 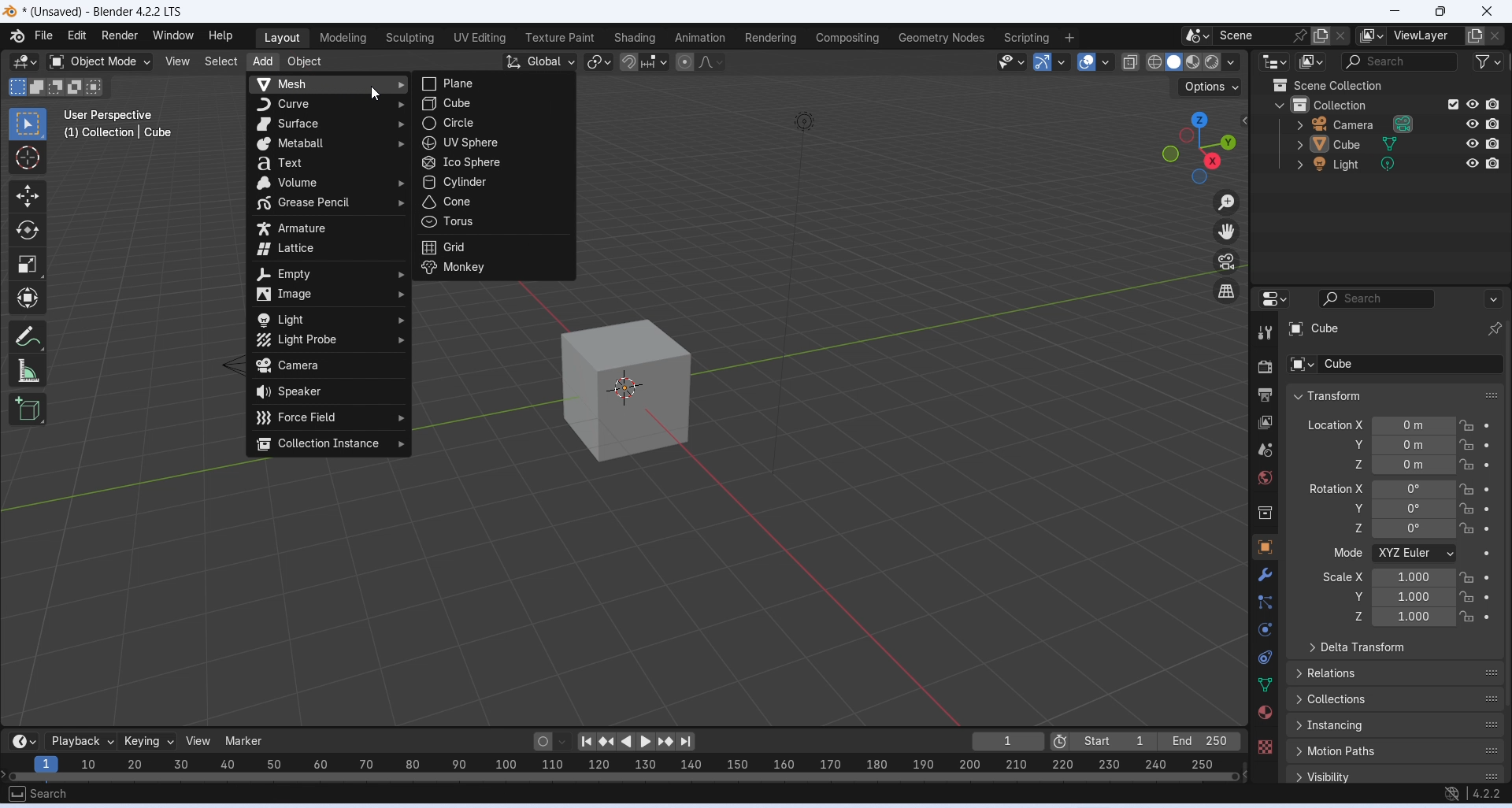 I want to click on Close, so click(x=1488, y=12).